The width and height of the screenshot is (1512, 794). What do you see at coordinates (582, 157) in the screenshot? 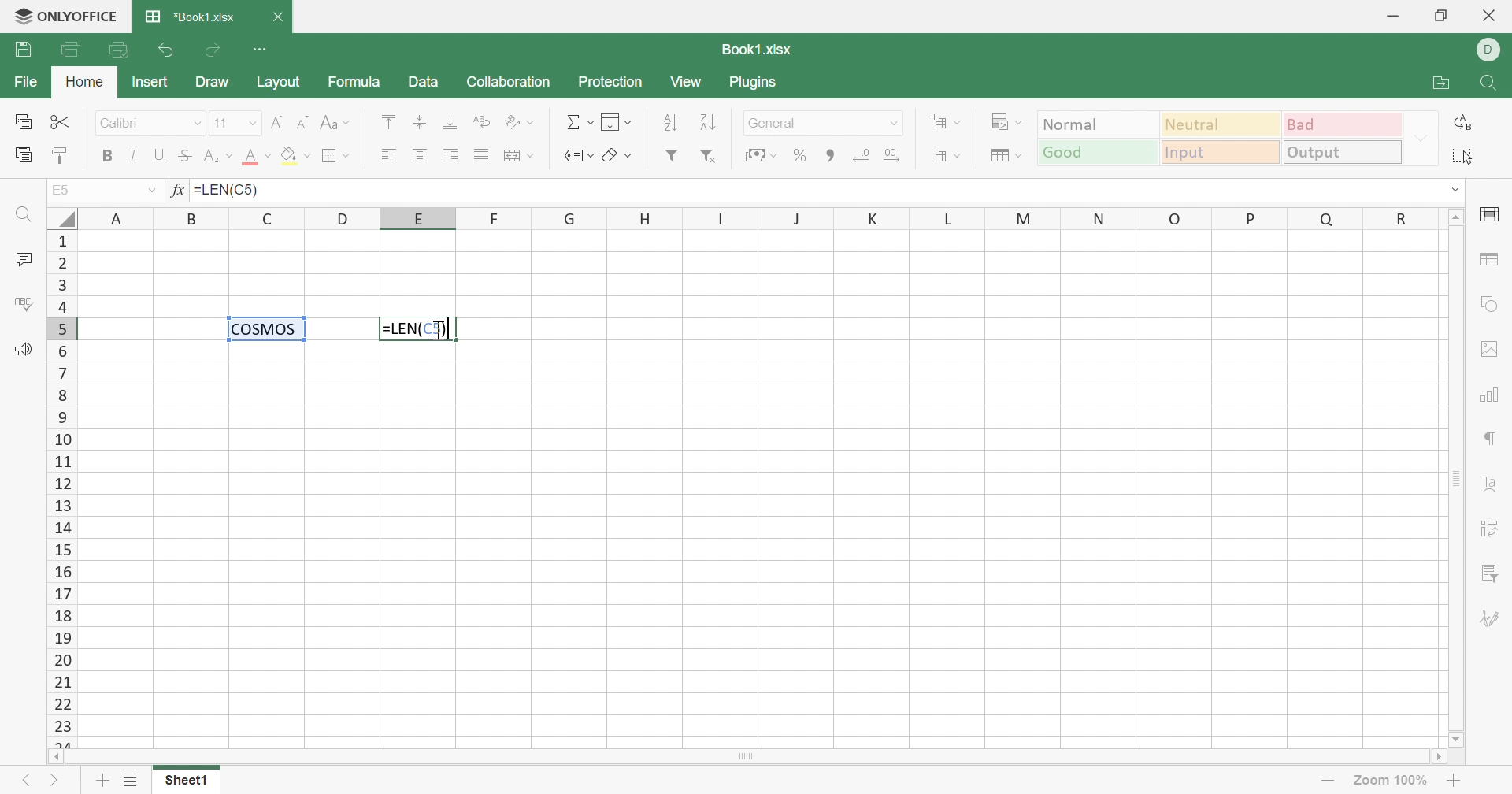
I see `Named ranges` at bounding box center [582, 157].